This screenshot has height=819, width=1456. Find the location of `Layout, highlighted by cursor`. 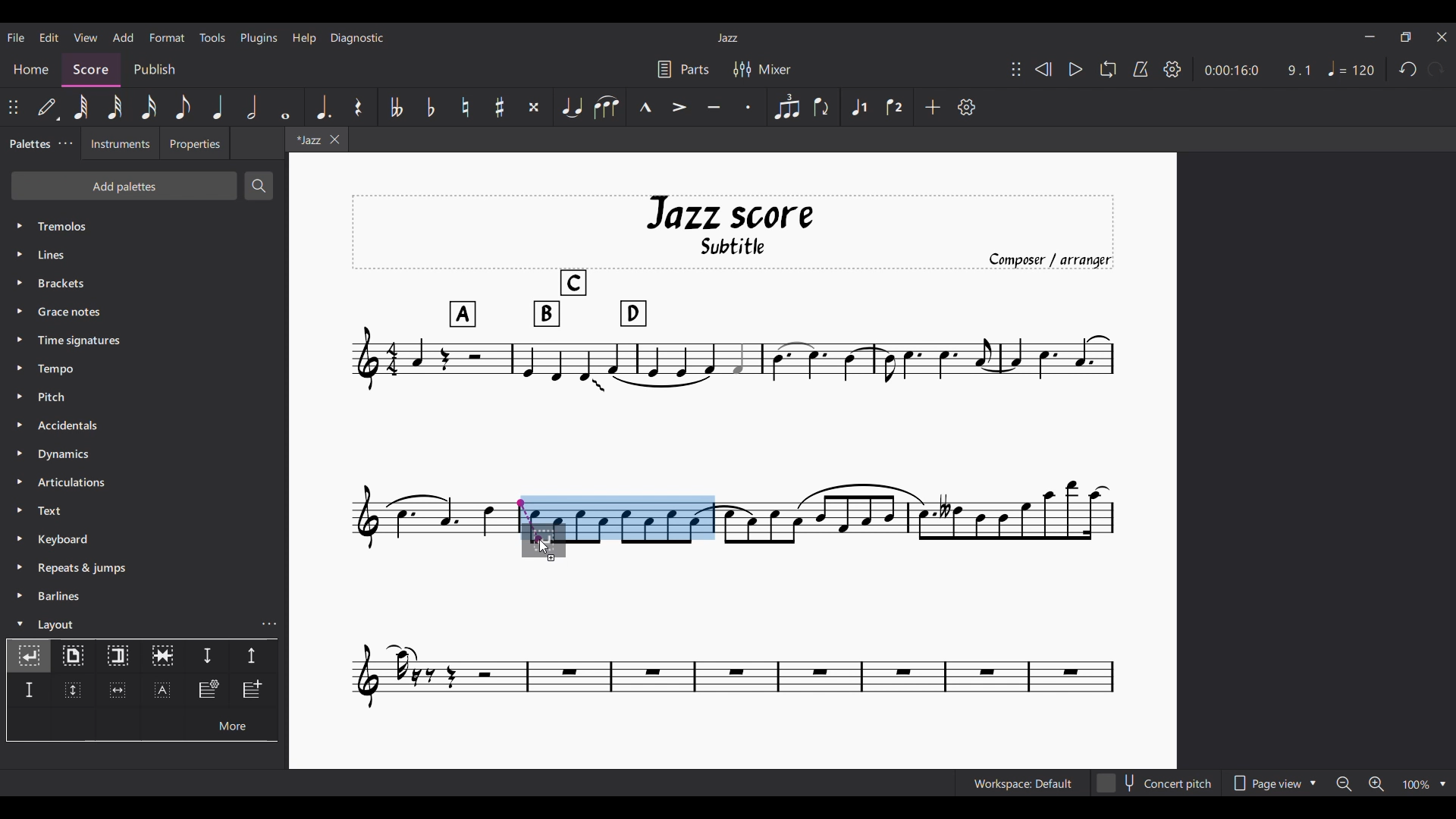

Layout, highlighted by cursor is located at coordinates (130, 623).